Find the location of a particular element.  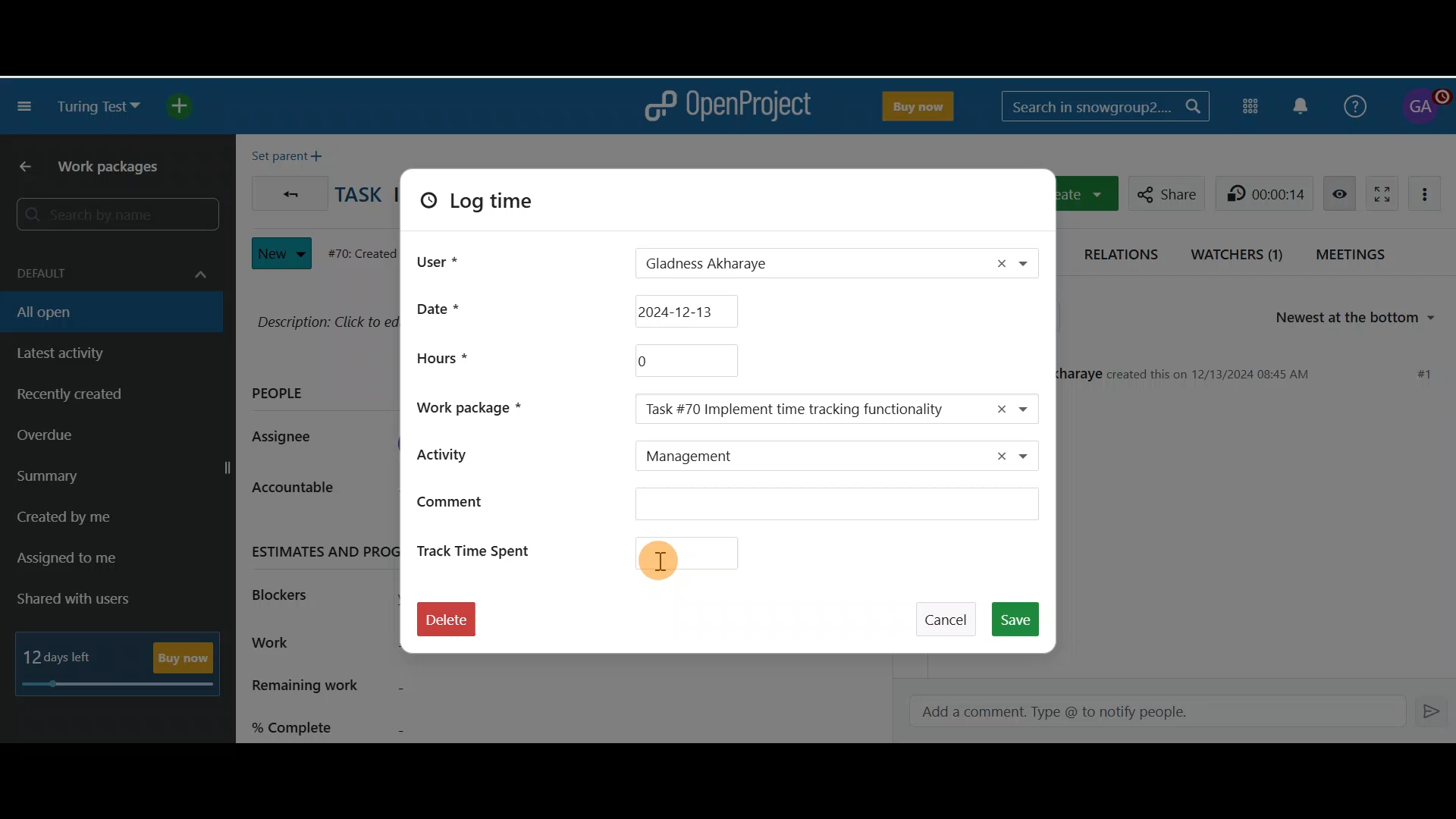

00:00:06 is located at coordinates (1268, 193).